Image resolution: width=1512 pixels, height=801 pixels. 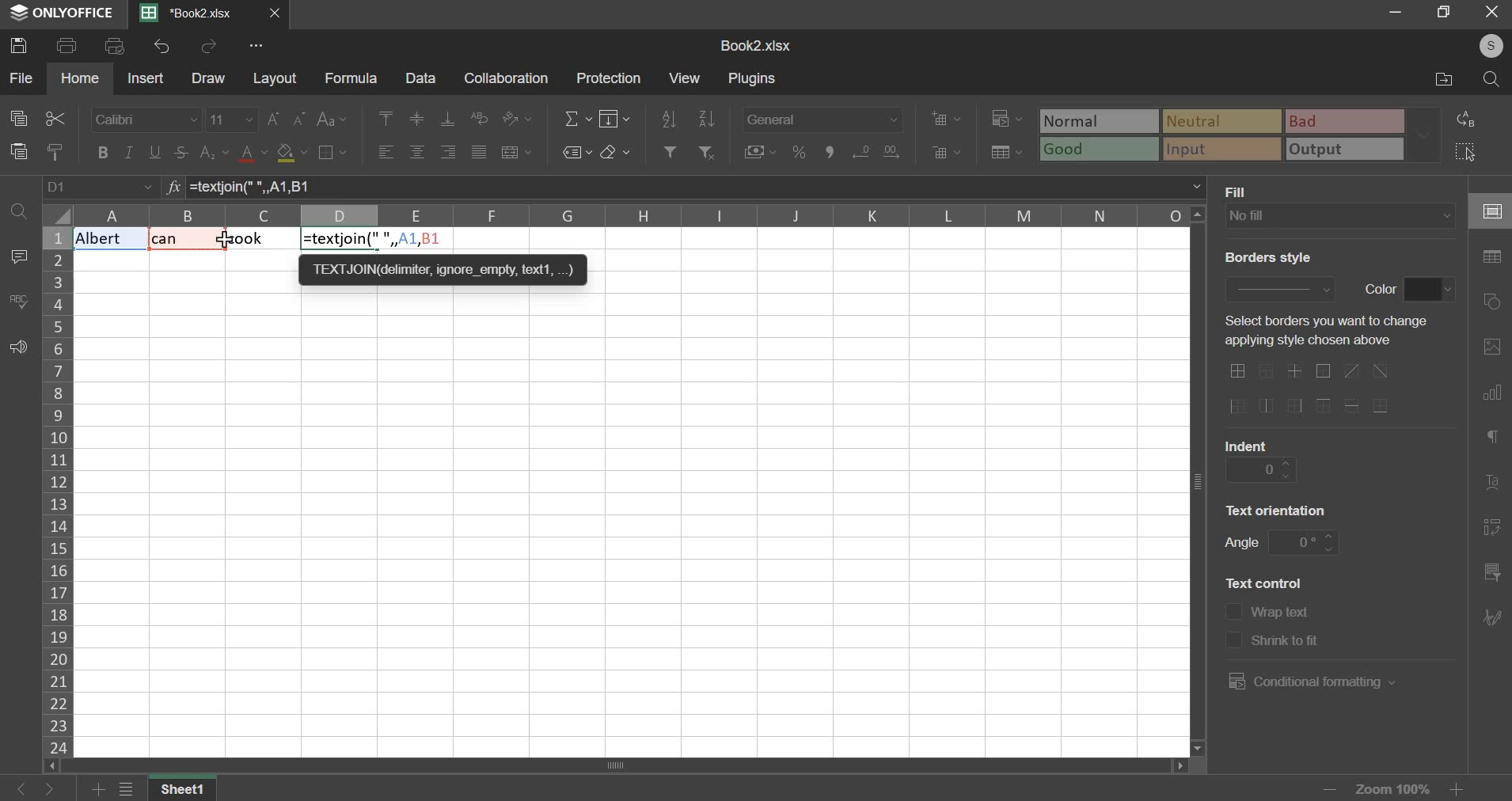 I want to click on search, so click(x=1494, y=79).